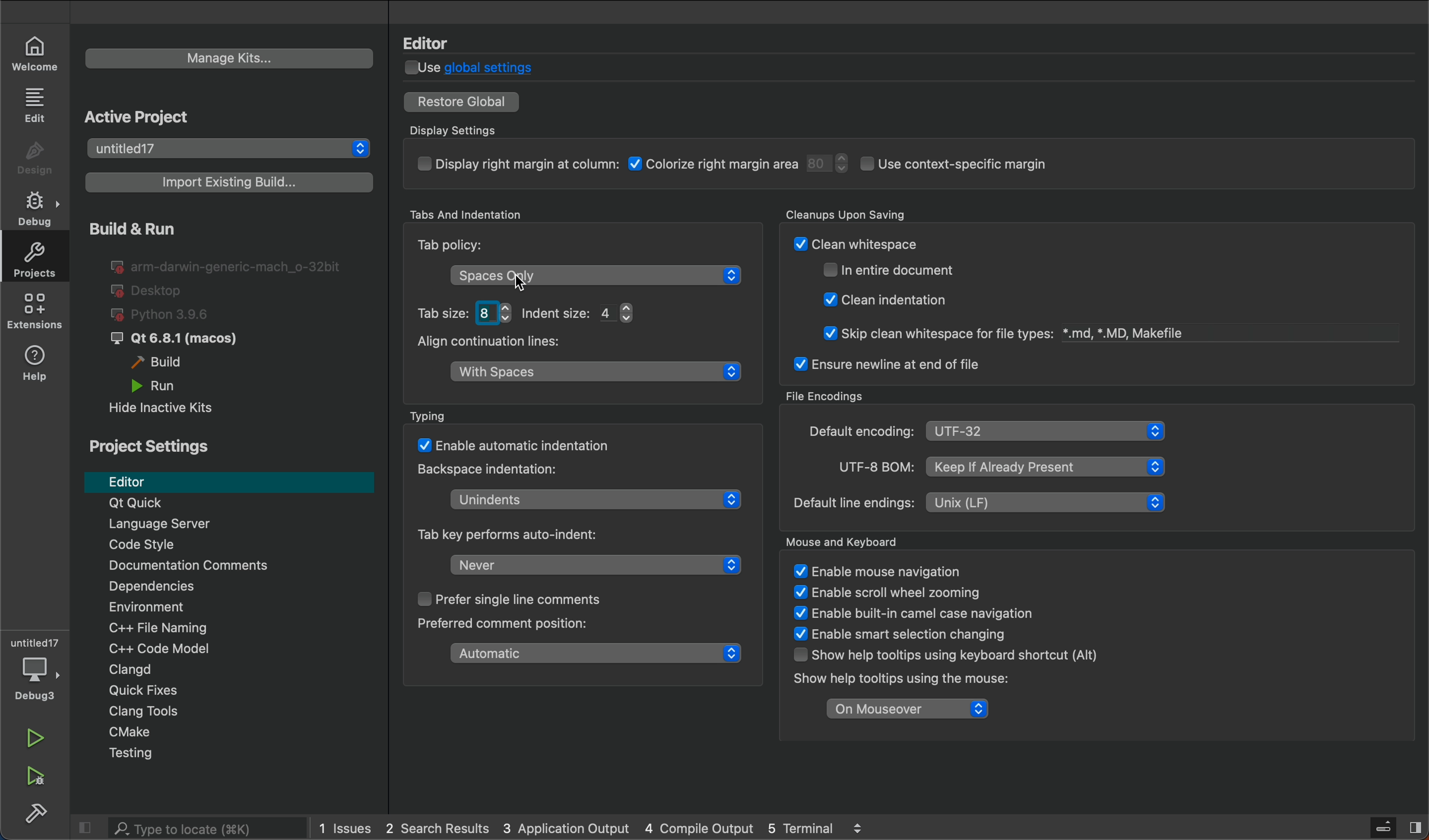 This screenshot has width=1429, height=840. I want to click on edit, so click(39, 107).